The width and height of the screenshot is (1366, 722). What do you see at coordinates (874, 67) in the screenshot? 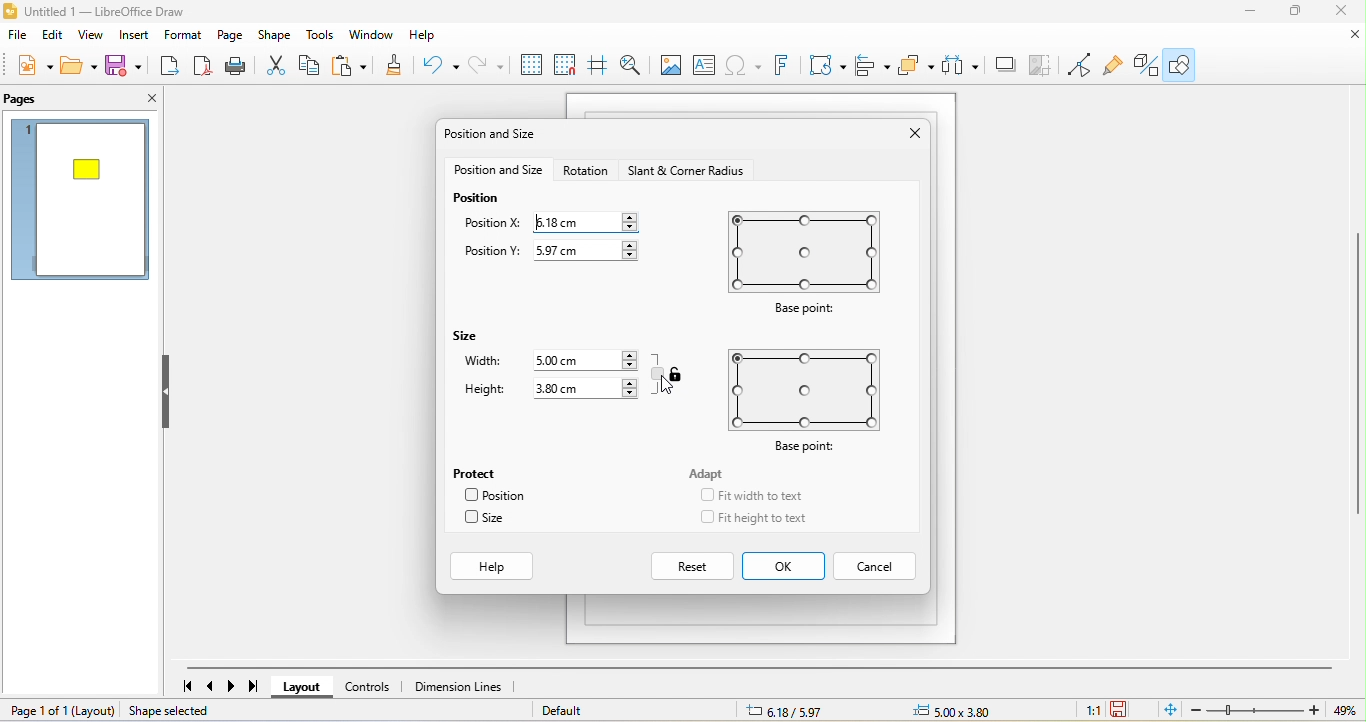
I see `align object` at bounding box center [874, 67].